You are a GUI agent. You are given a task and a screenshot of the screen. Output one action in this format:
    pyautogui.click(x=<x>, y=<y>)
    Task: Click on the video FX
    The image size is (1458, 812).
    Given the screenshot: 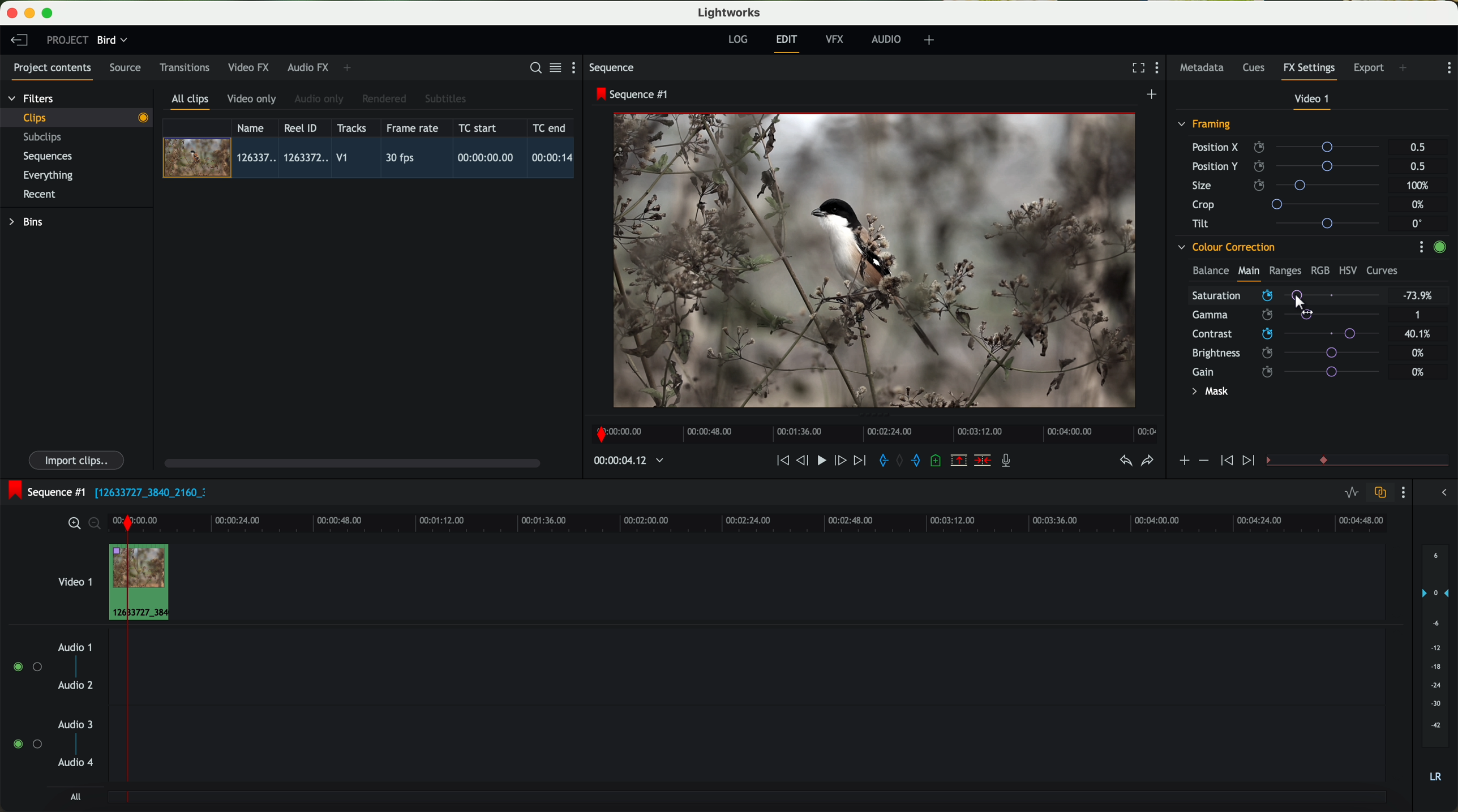 What is the action you would take?
    pyautogui.click(x=251, y=67)
    